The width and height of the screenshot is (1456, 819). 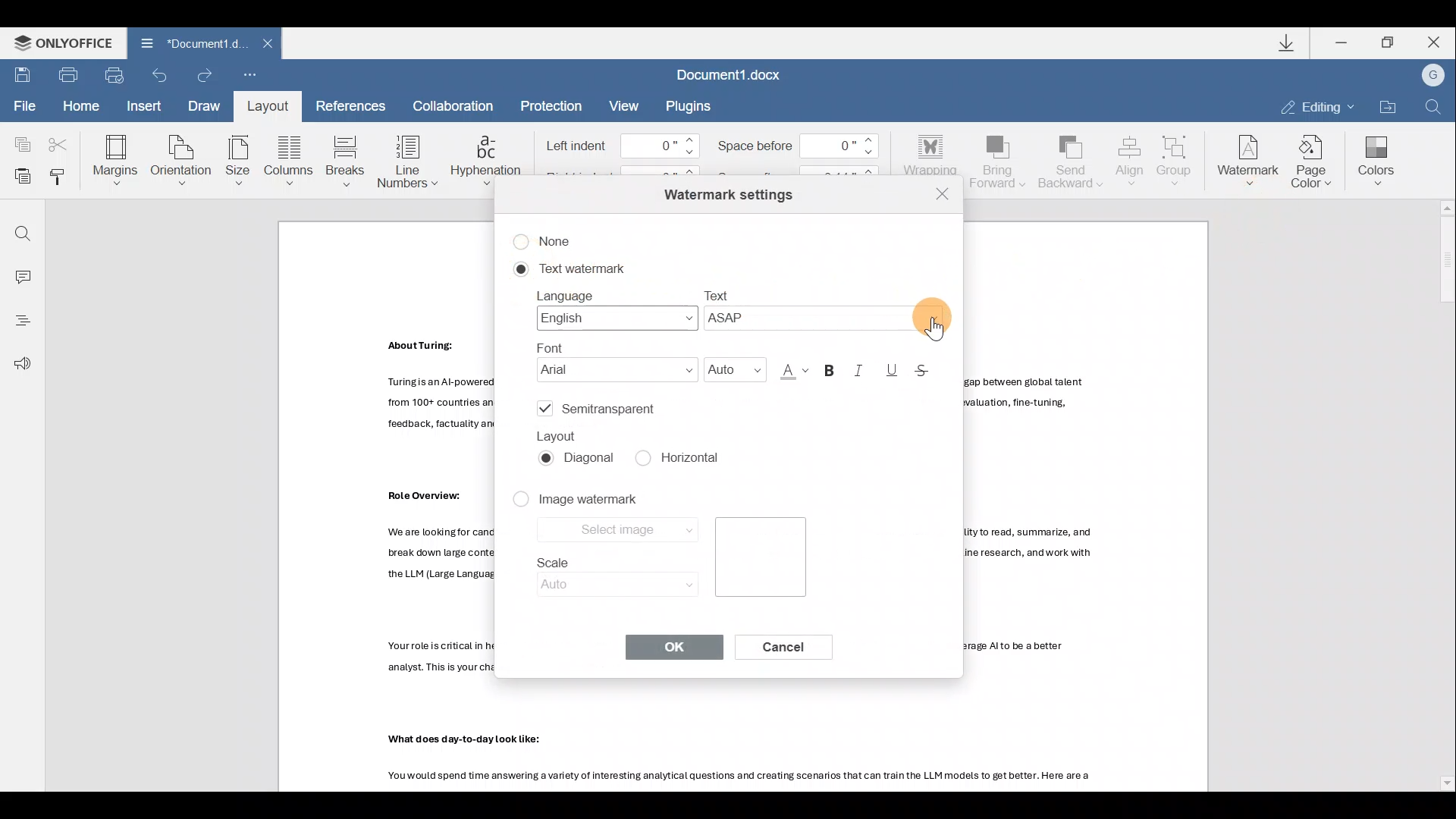 I want to click on Colors, so click(x=1375, y=162).